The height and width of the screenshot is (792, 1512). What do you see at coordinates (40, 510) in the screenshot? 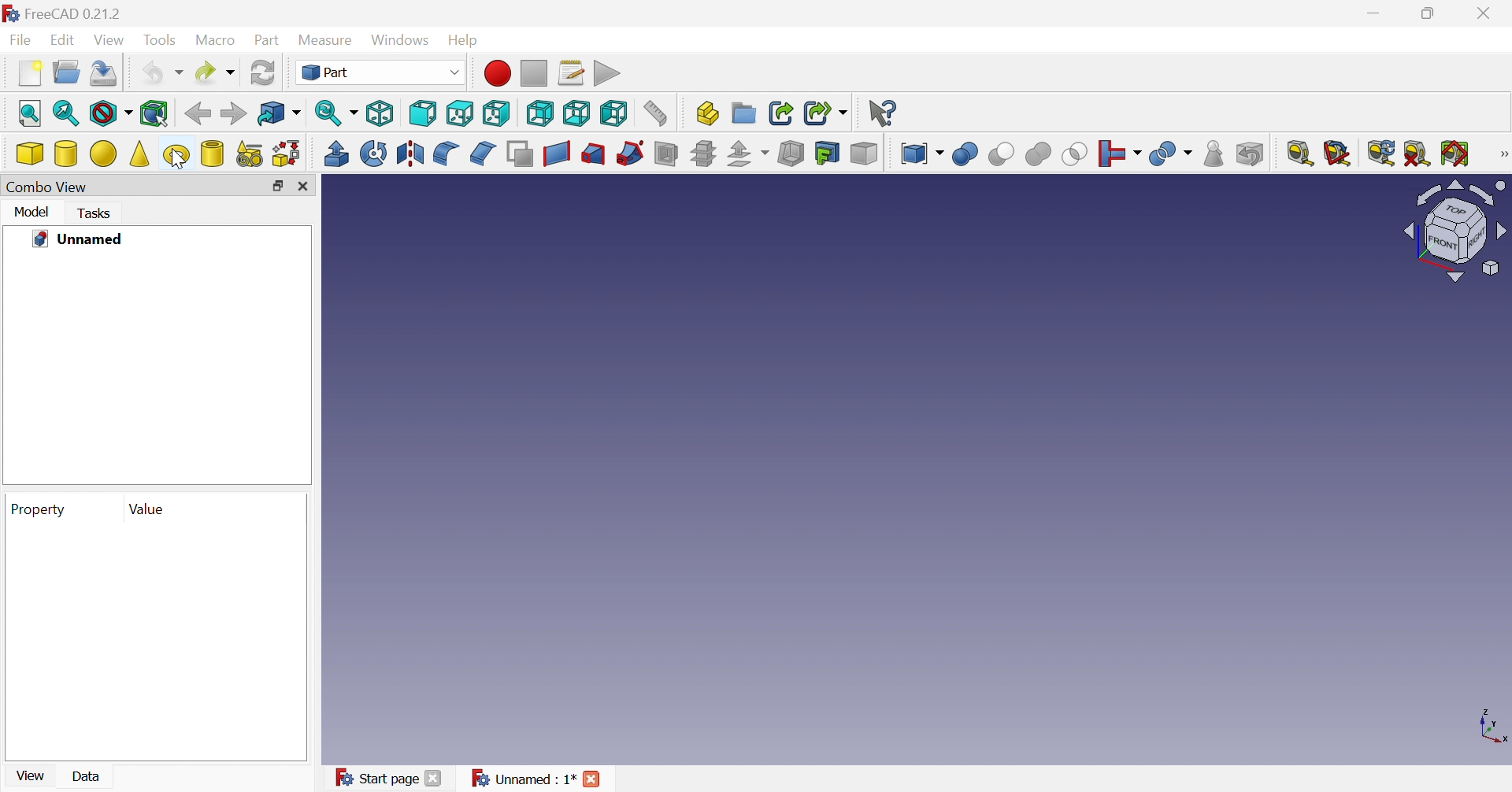
I see `Property` at bounding box center [40, 510].